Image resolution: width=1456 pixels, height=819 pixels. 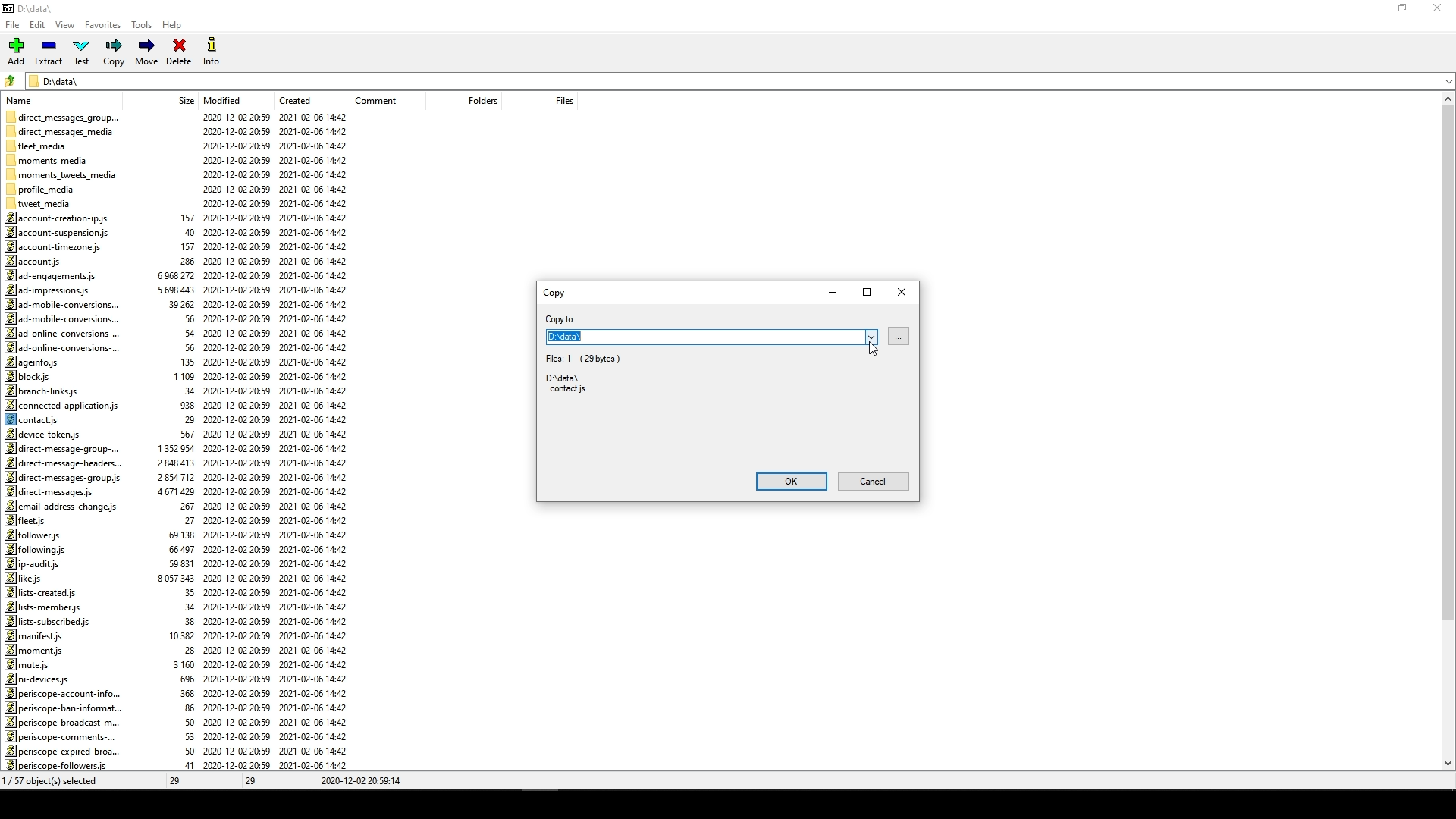 I want to click on account-creation-ip.js, so click(x=63, y=218).